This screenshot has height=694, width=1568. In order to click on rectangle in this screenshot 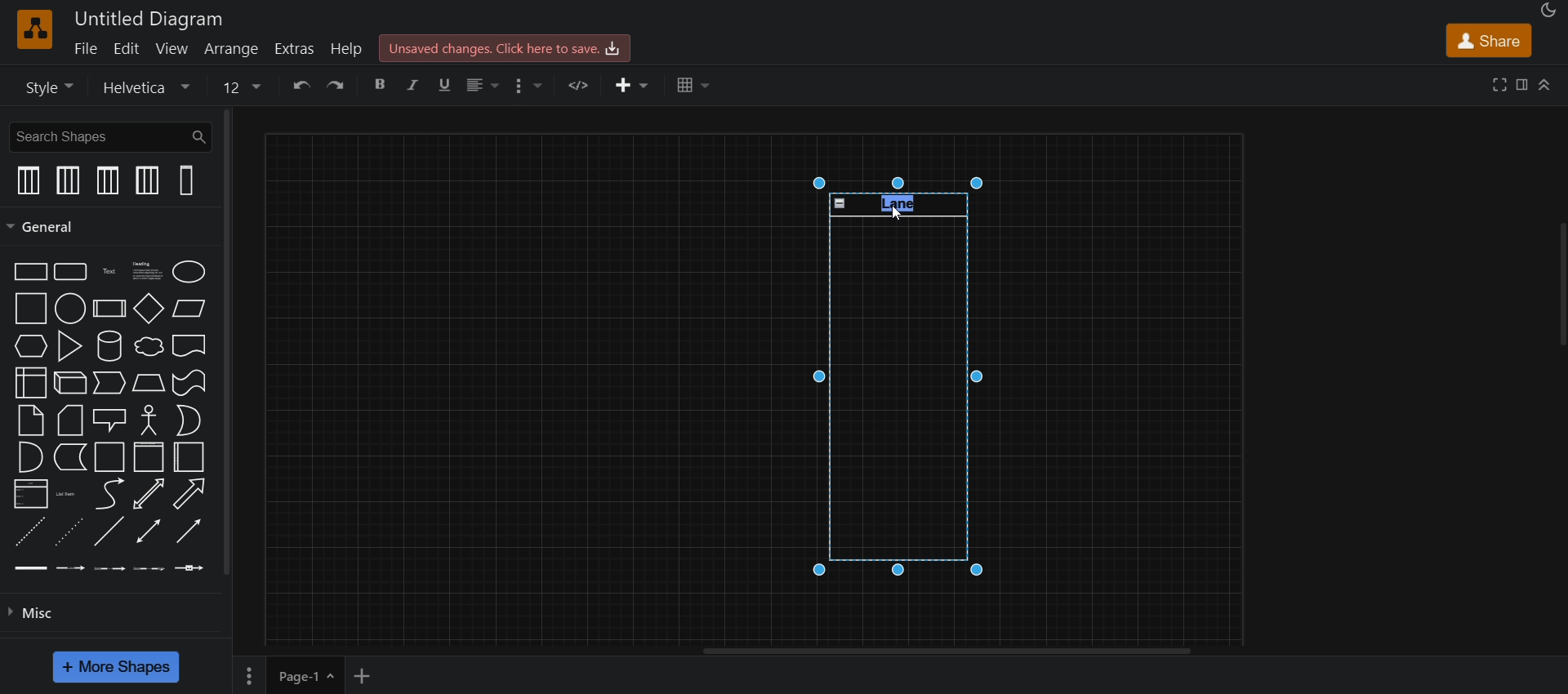, I will do `click(25, 271)`.